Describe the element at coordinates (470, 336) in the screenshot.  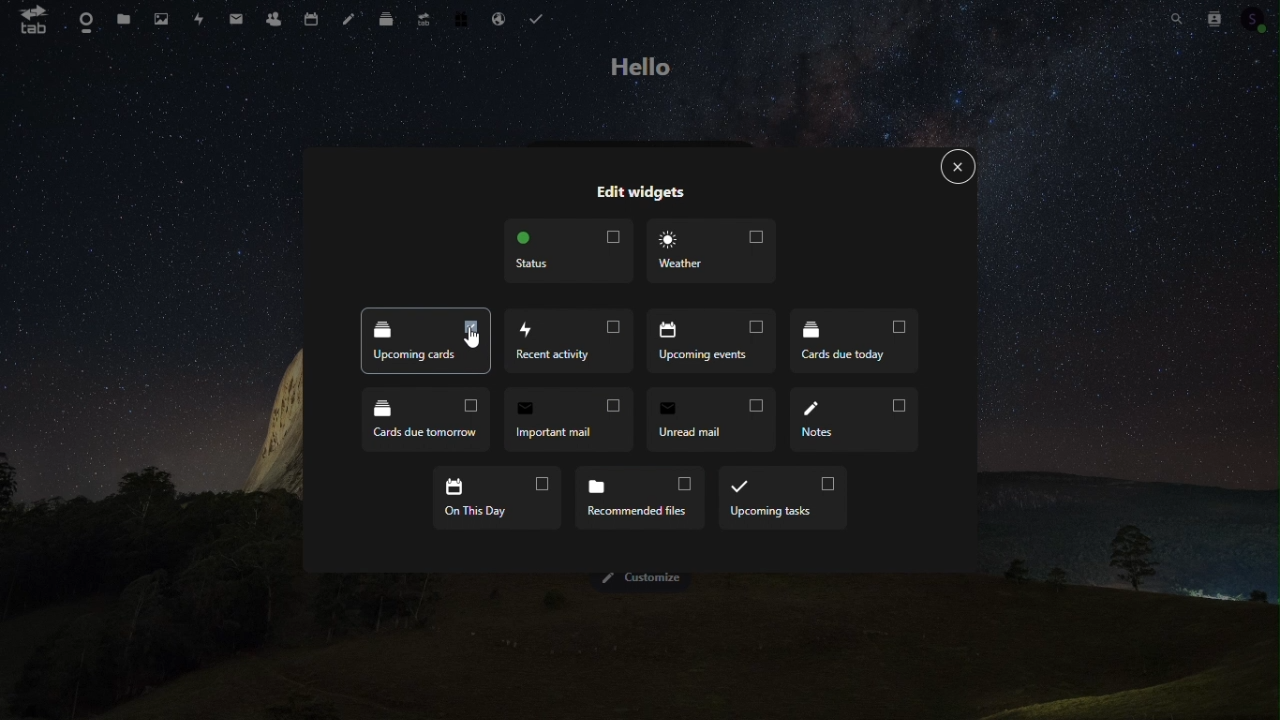
I see `cursor` at that location.